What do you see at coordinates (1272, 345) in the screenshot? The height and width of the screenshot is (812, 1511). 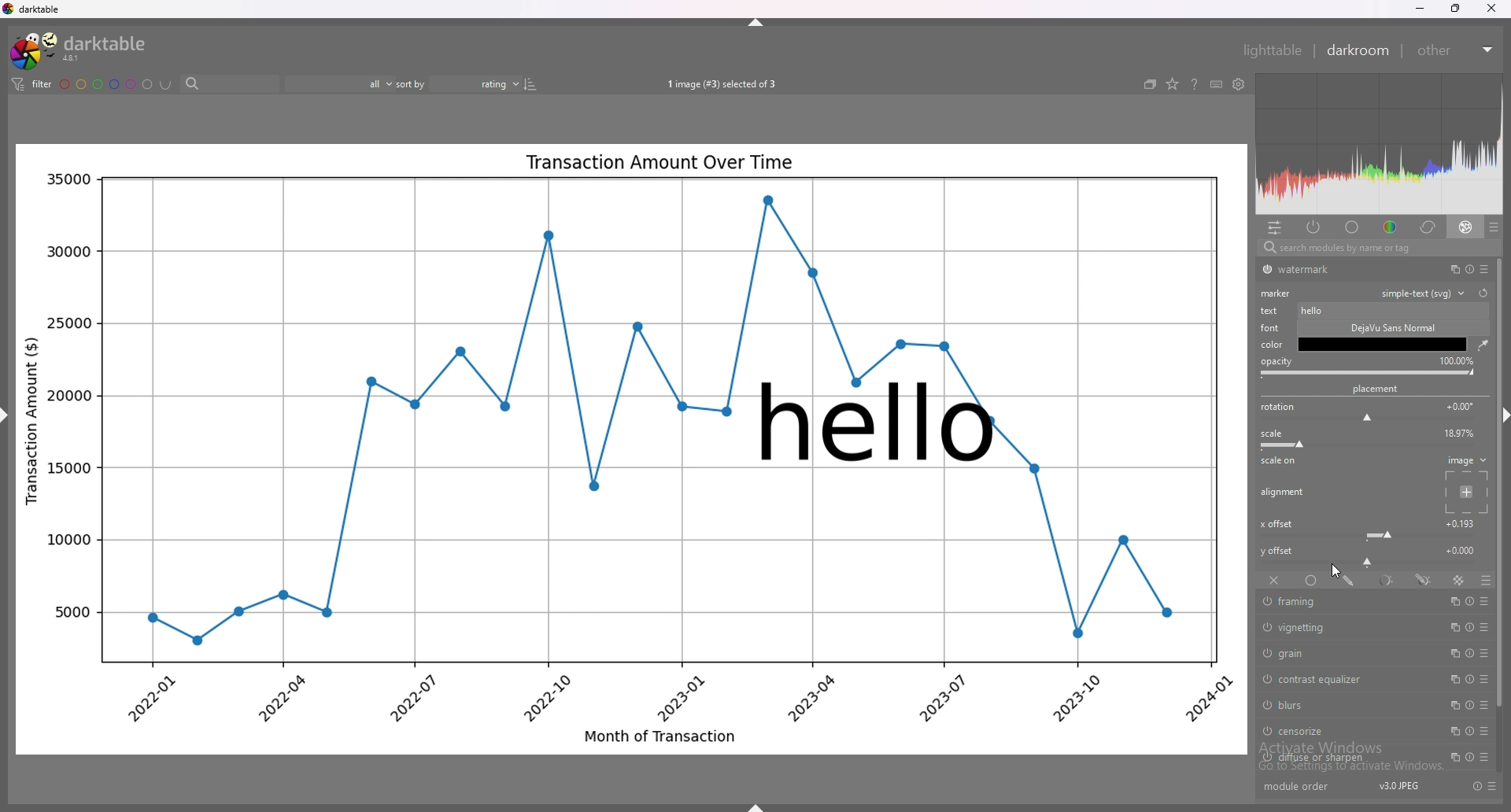 I see `color` at bounding box center [1272, 345].